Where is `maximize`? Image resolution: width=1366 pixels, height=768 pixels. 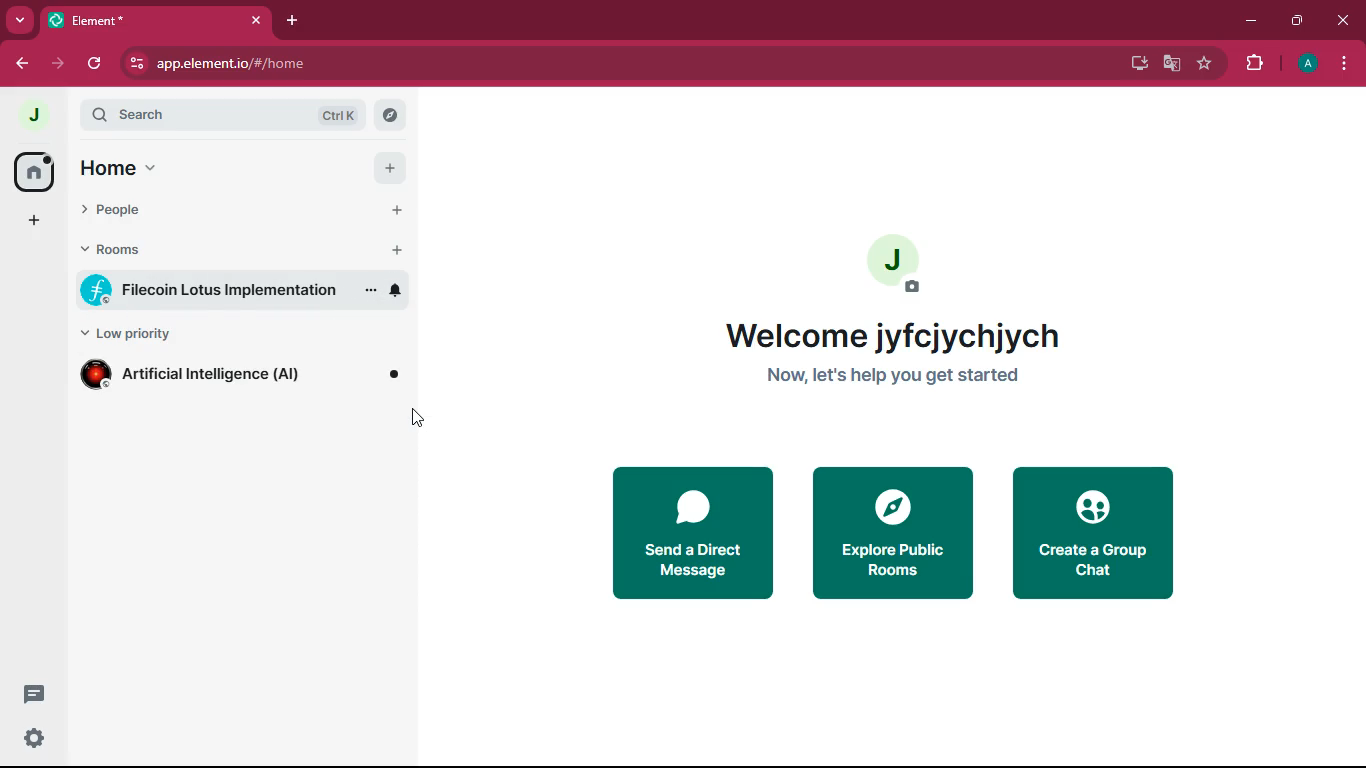
maximize is located at coordinates (1298, 24).